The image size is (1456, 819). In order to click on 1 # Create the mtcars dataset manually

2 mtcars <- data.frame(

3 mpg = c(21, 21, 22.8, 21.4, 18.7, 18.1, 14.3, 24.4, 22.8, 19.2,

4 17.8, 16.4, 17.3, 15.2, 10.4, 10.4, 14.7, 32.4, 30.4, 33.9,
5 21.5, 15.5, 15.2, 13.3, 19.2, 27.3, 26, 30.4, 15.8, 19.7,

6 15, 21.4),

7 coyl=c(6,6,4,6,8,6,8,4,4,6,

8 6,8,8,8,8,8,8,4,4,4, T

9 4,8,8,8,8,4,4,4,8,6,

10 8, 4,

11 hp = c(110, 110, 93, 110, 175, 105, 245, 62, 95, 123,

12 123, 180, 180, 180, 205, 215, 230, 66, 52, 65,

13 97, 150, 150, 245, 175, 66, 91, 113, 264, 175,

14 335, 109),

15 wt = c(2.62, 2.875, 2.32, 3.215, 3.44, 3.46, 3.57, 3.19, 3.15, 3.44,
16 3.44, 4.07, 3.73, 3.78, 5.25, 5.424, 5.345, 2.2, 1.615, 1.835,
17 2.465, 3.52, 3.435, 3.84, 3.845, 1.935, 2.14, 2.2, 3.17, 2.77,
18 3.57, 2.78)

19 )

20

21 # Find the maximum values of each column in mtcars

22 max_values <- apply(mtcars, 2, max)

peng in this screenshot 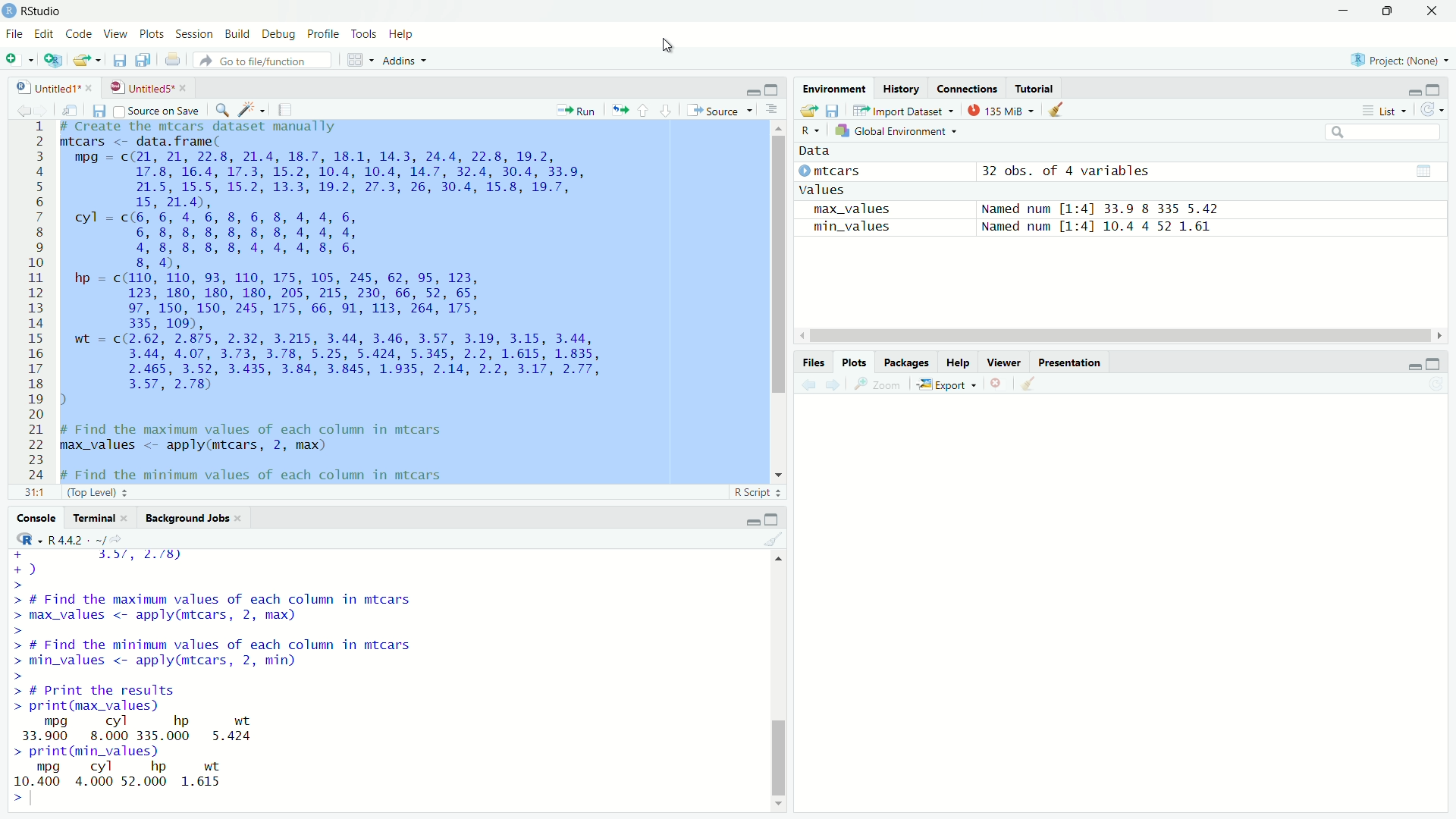, I will do `click(355, 300)`.